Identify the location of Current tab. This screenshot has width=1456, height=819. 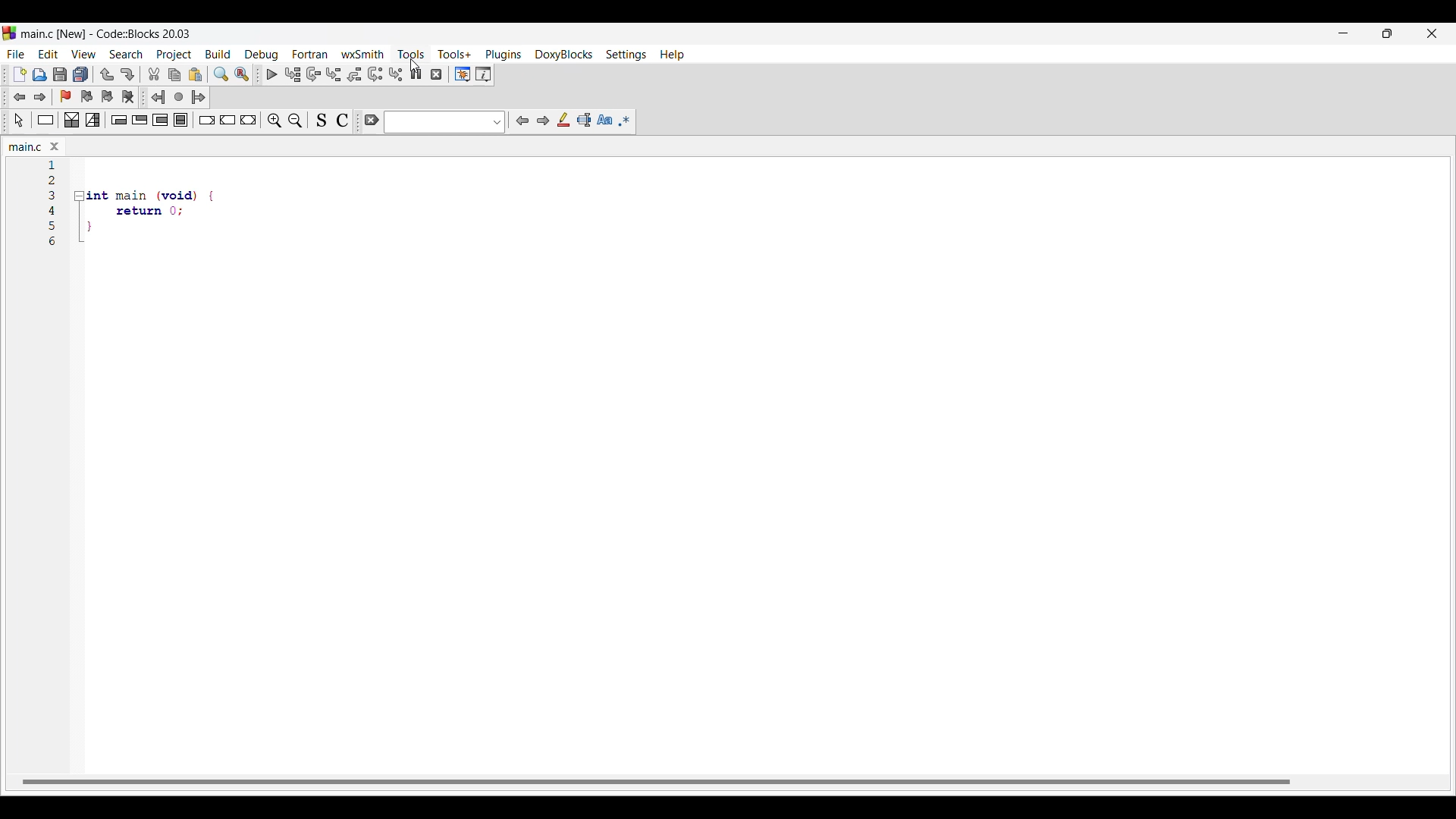
(27, 147).